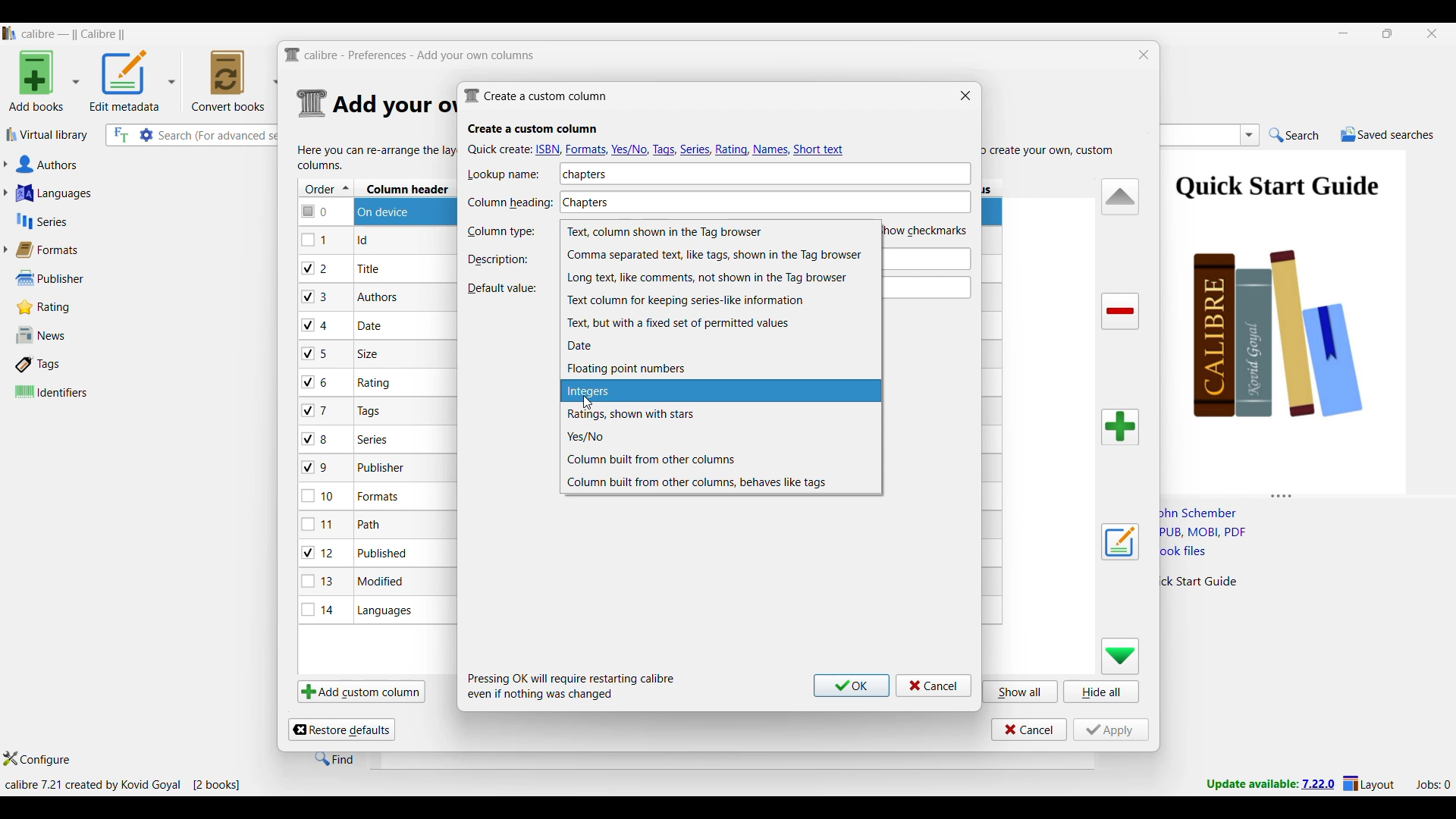  Describe the element at coordinates (220, 136) in the screenshot. I see `Input search here` at that location.